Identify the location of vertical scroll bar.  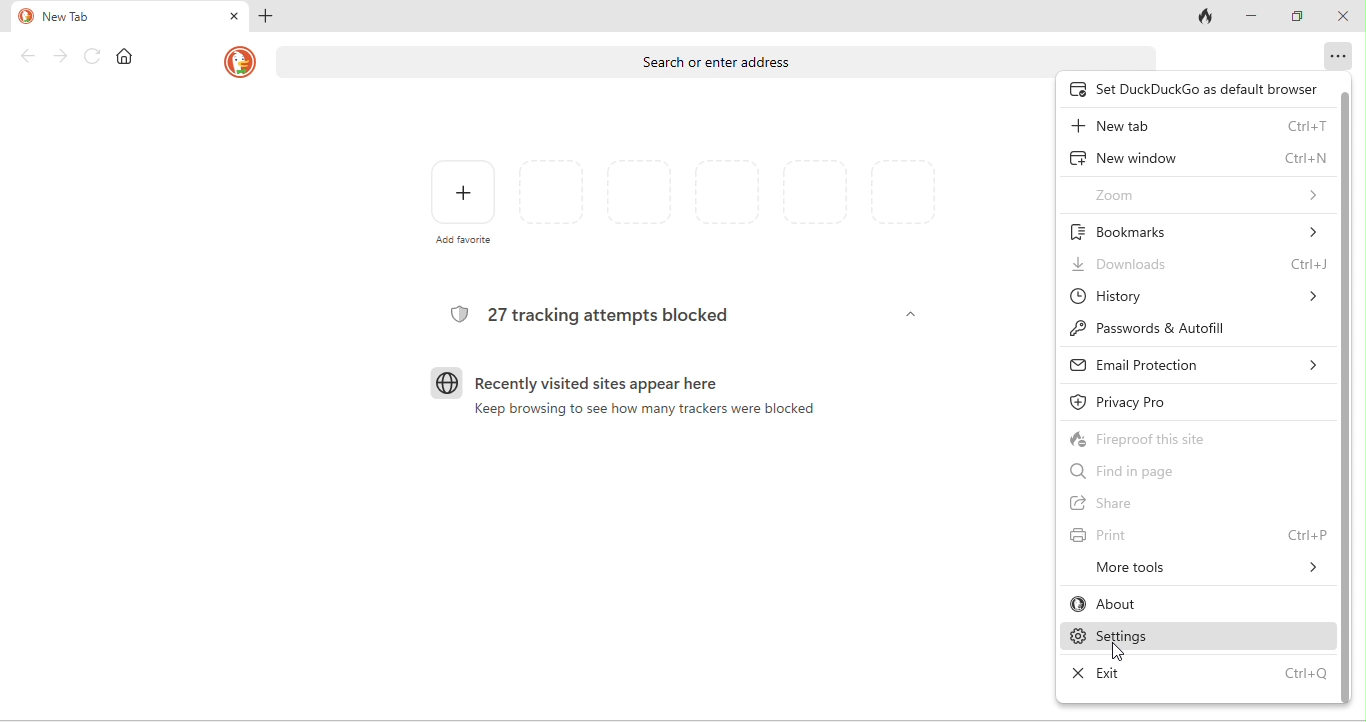
(1347, 399).